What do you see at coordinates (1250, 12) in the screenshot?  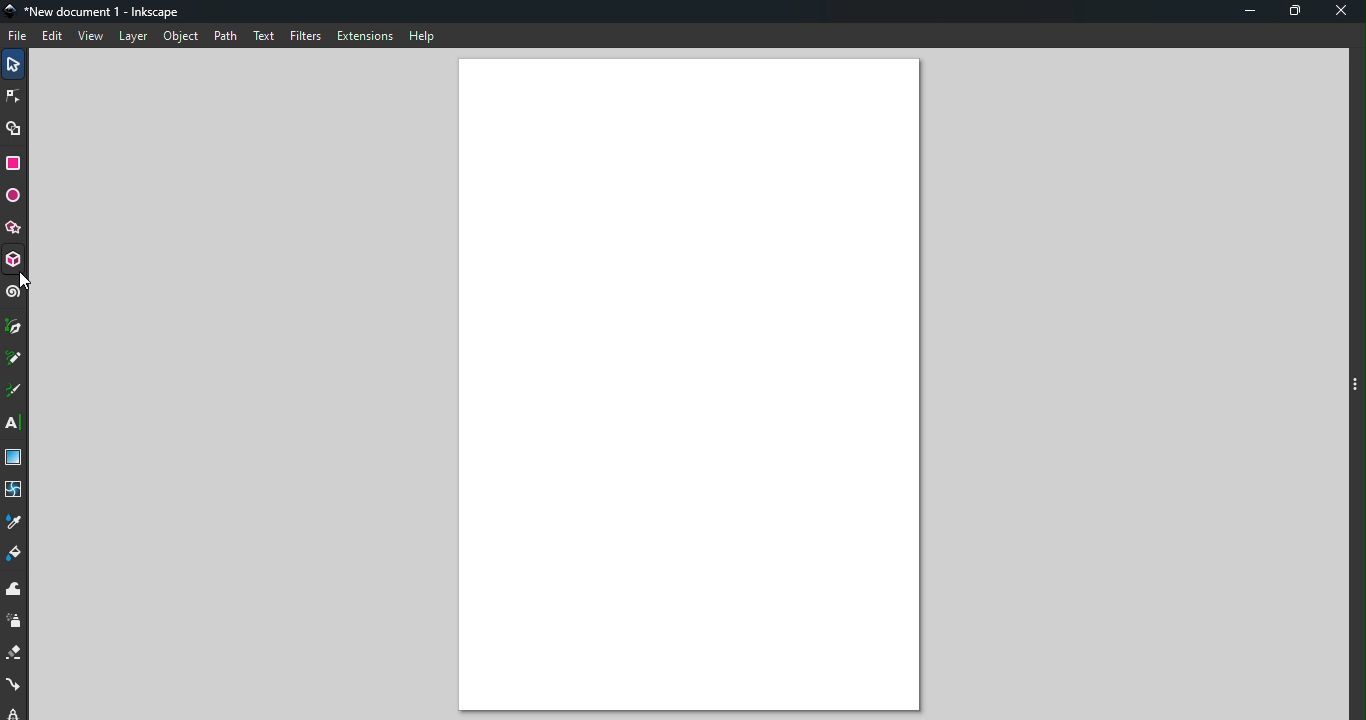 I see `Minimize` at bounding box center [1250, 12].